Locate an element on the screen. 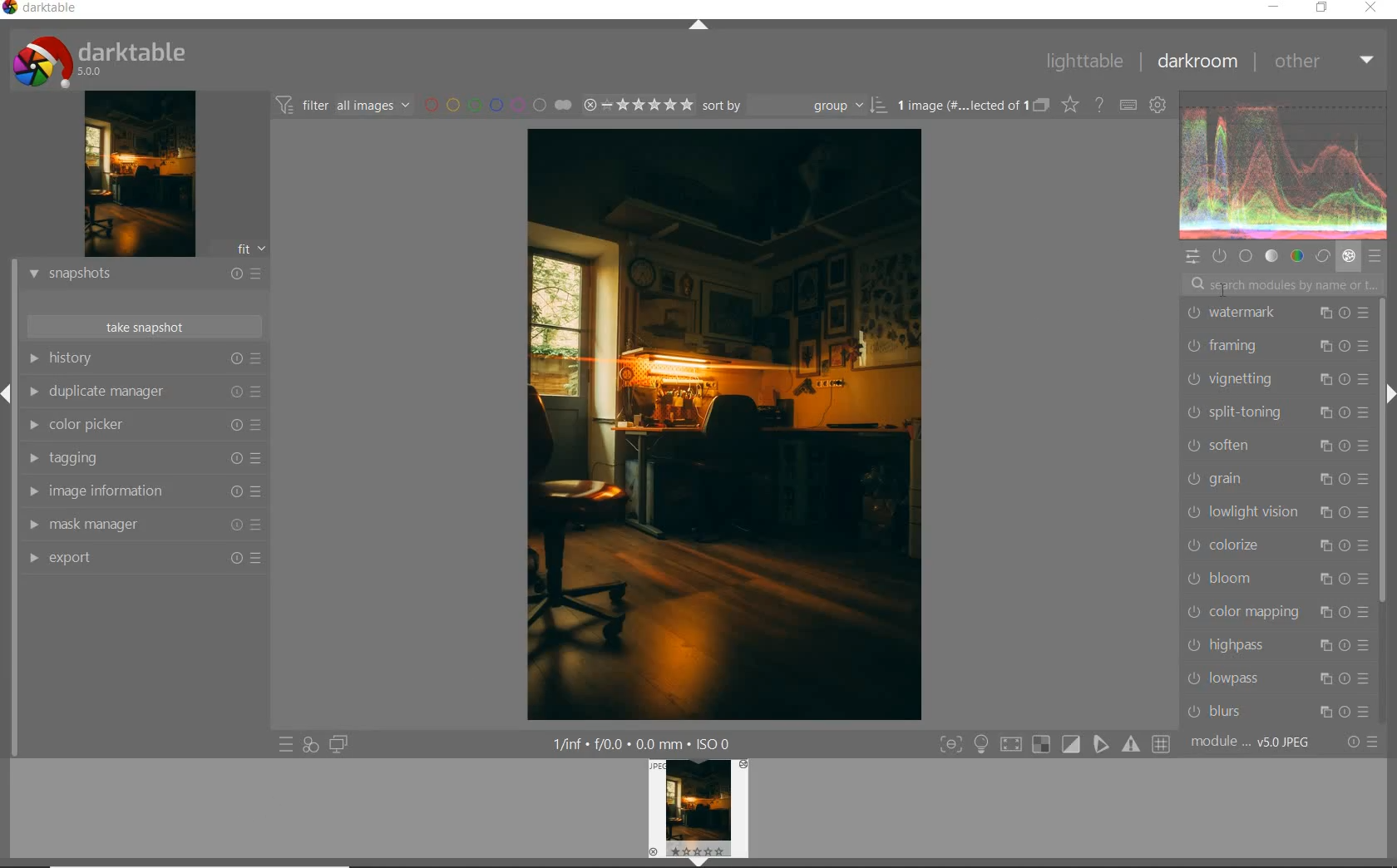 Image resolution: width=1397 pixels, height=868 pixels. color mapping is located at coordinates (1275, 611).